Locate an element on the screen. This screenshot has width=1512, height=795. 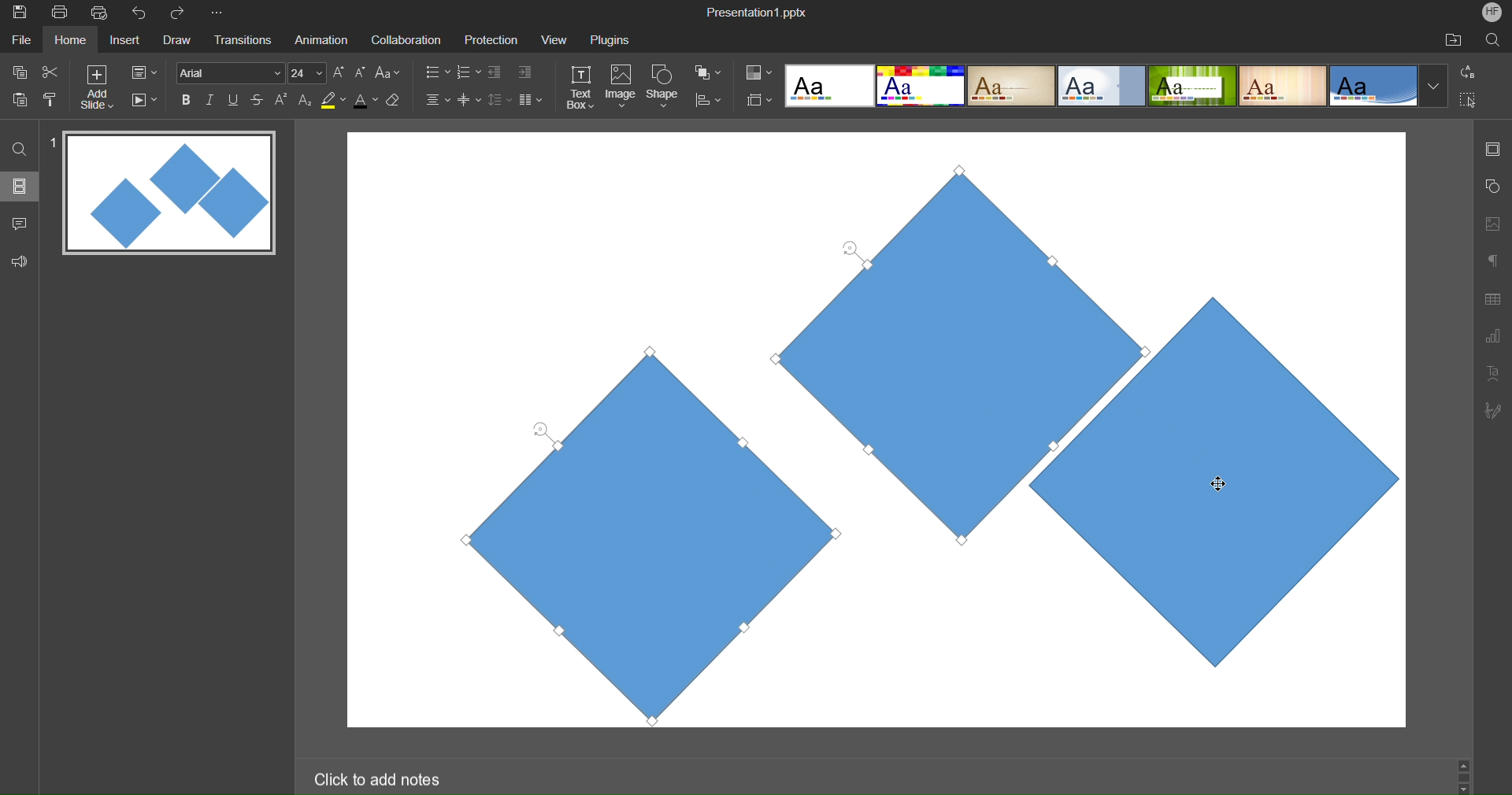
Home is located at coordinates (70, 40).